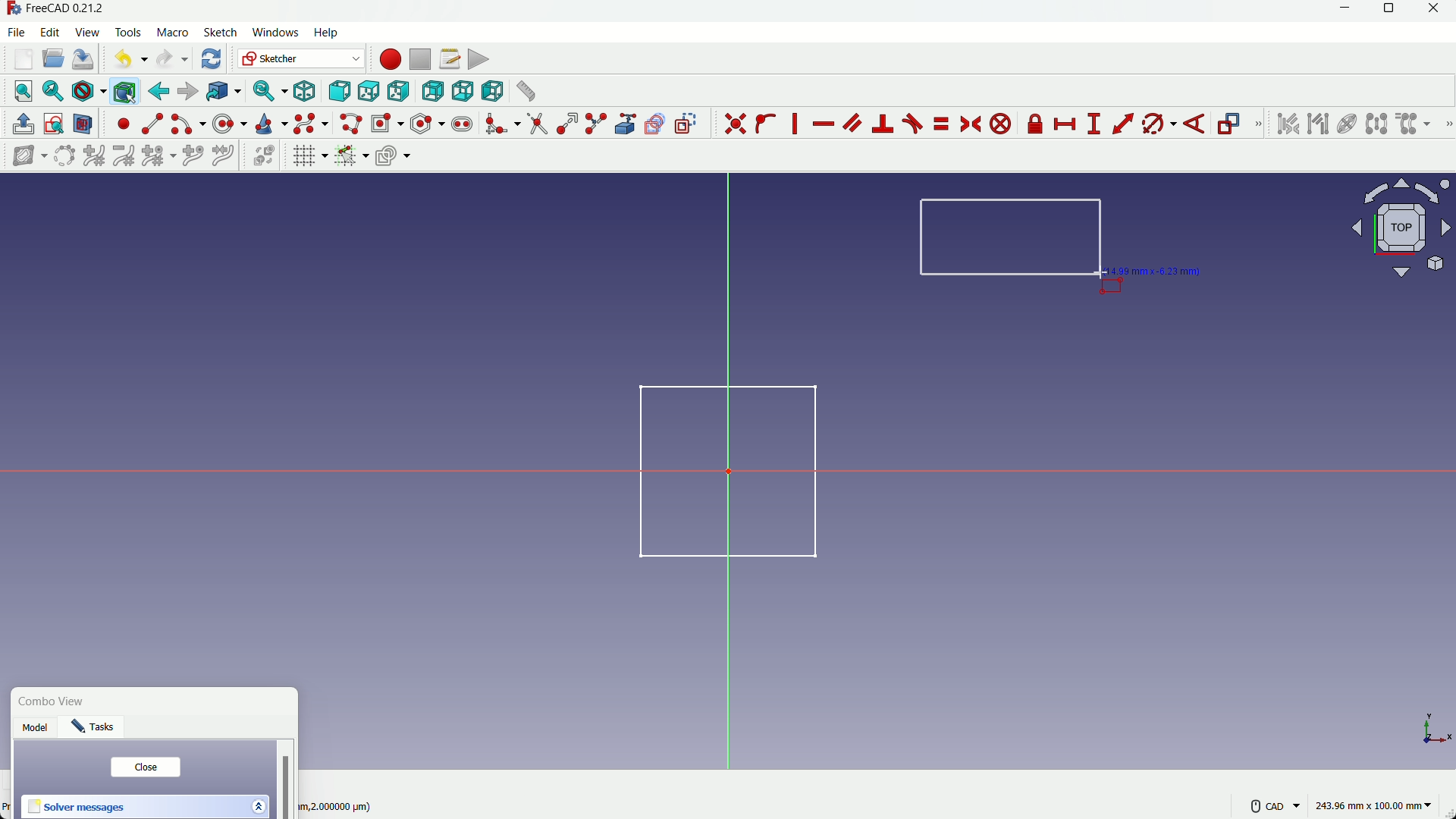 The image size is (1456, 819). I want to click on sketch menu, so click(218, 33).